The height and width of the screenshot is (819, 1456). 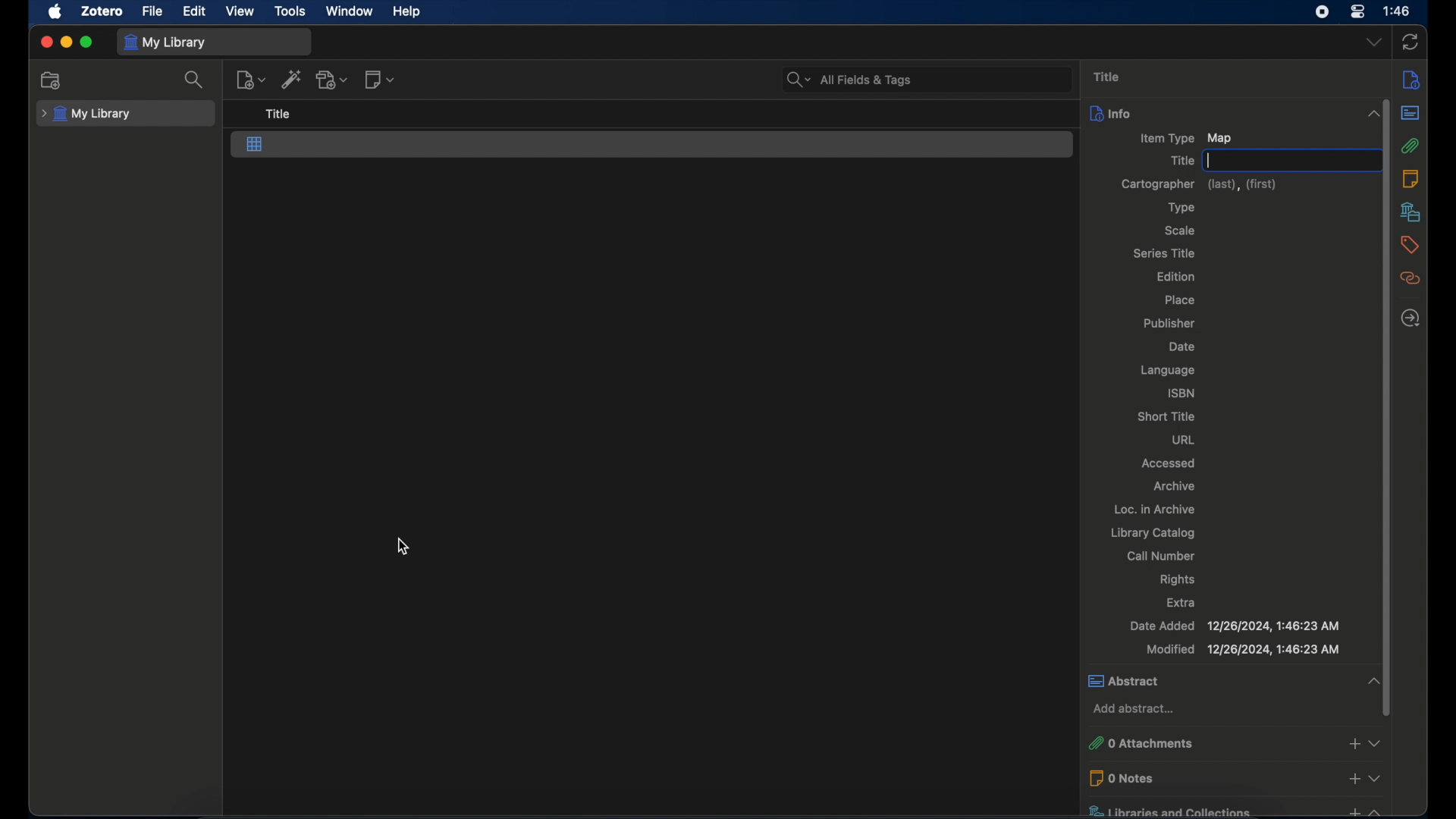 What do you see at coordinates (1169, 371) in the screenshot?
I see `language` at bounding box center [1169, 371].